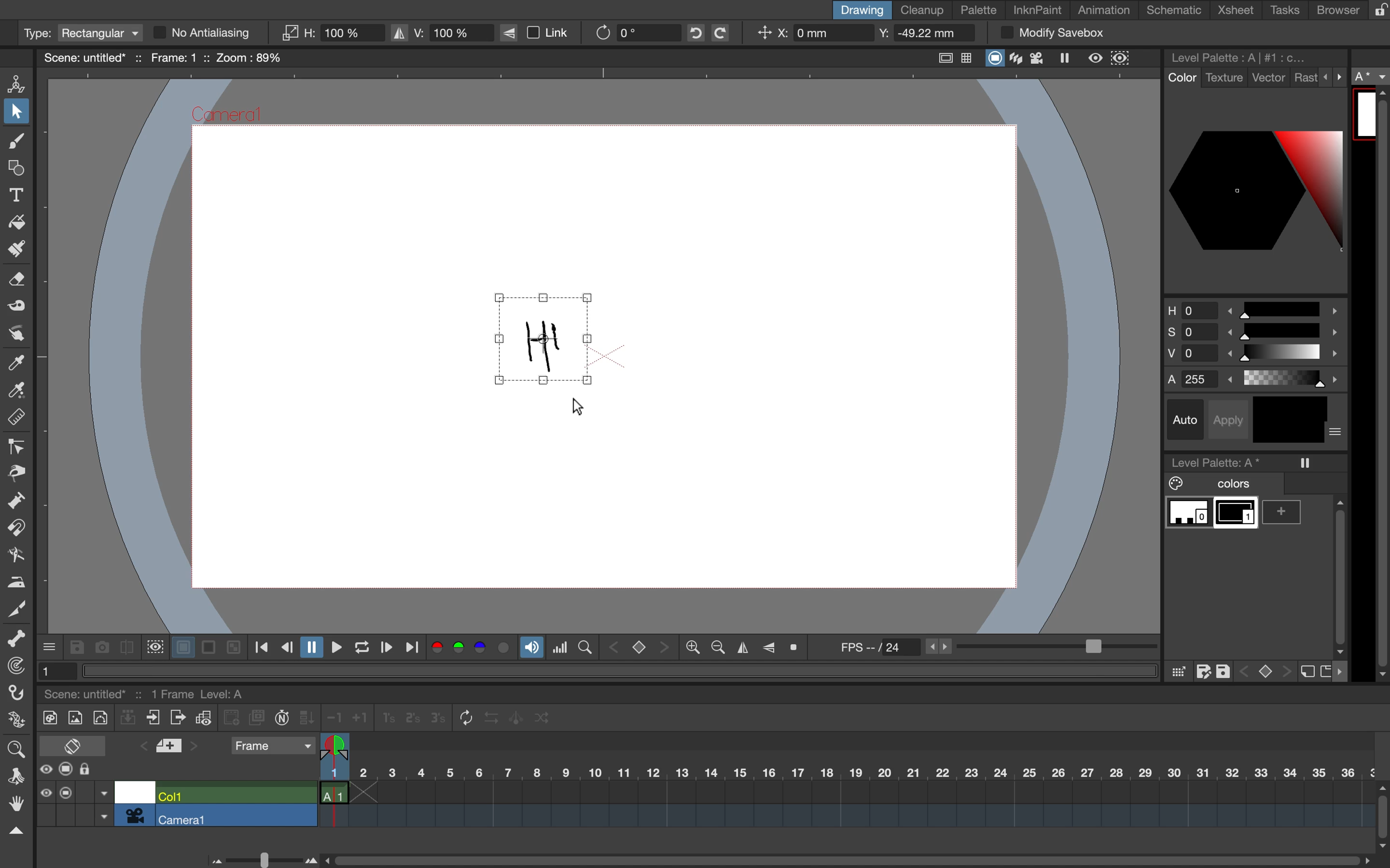 The height and width of the screenshot is (868, 1390). I want to click on last frame, so click(414, 648).